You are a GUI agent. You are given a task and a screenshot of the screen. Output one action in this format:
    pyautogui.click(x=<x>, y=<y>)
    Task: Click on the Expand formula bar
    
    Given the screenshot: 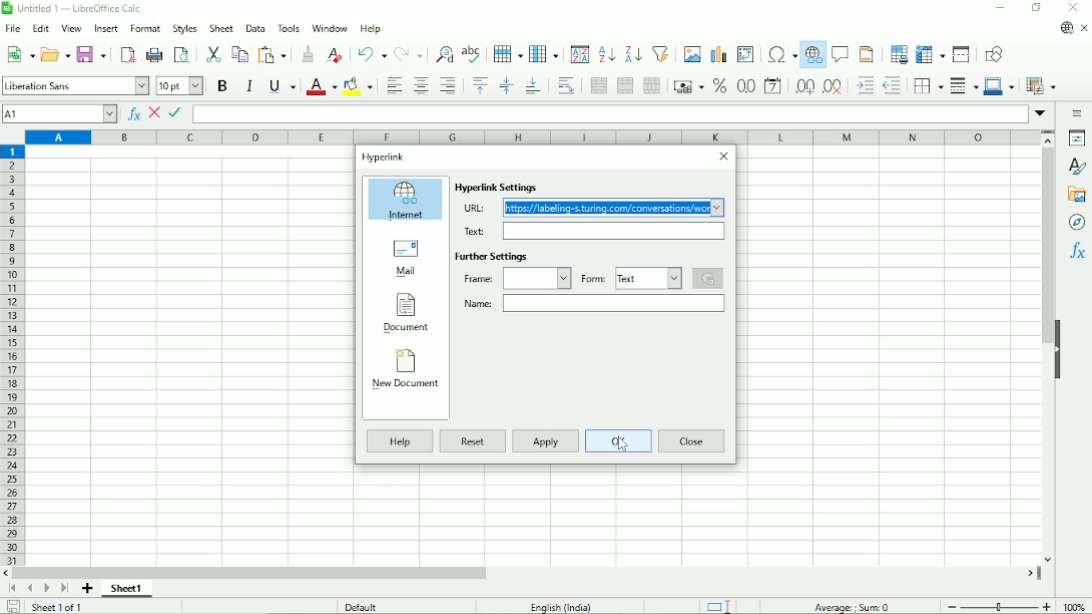 What is the action you would take?
    pyautogui.click(x=1042, y=113)
    